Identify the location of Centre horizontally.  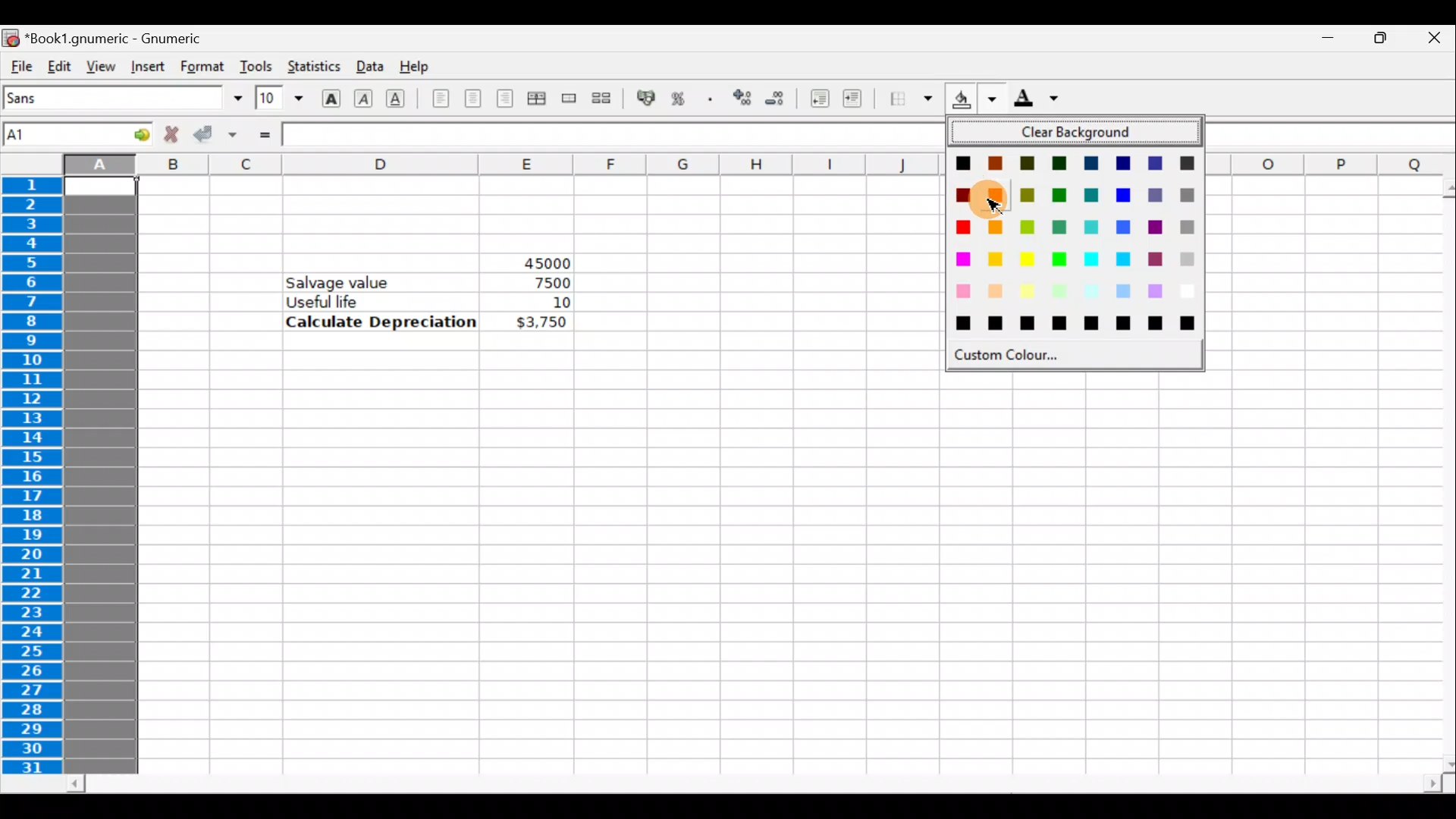
(472, 103).